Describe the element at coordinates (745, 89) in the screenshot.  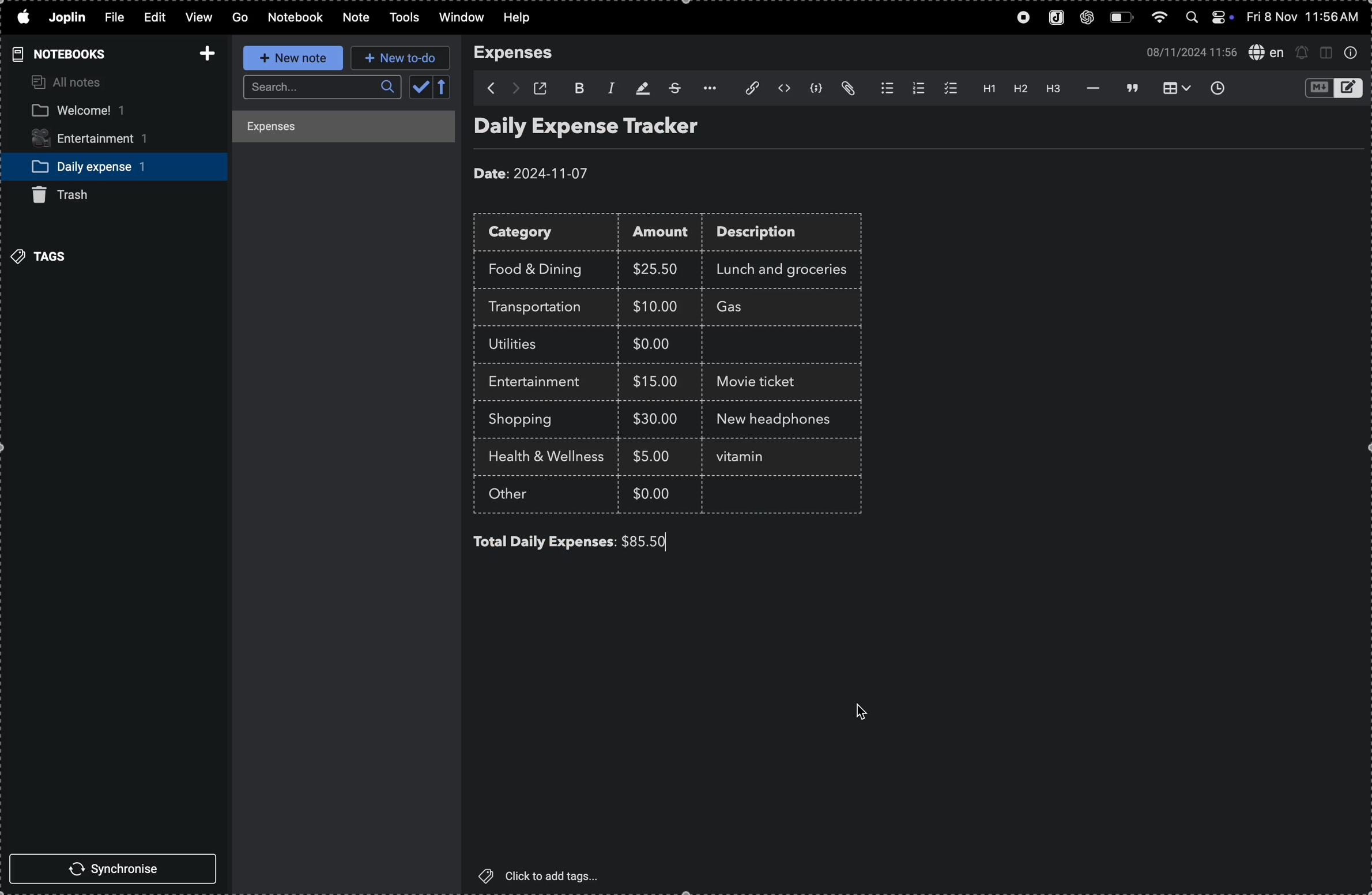
I see `attach file` at that location.